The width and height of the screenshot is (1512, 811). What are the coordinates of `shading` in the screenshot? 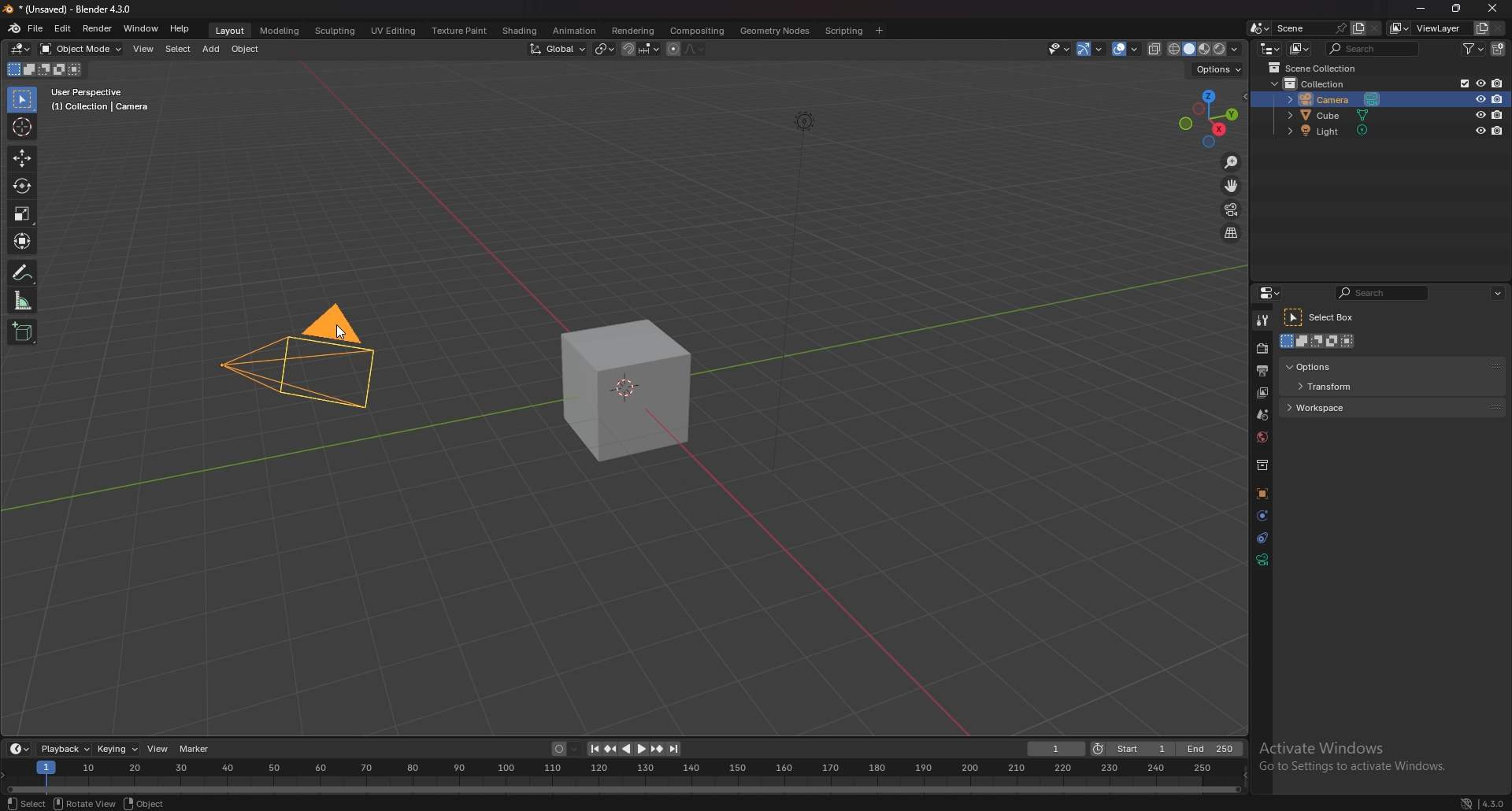 It's located at (520, 30).